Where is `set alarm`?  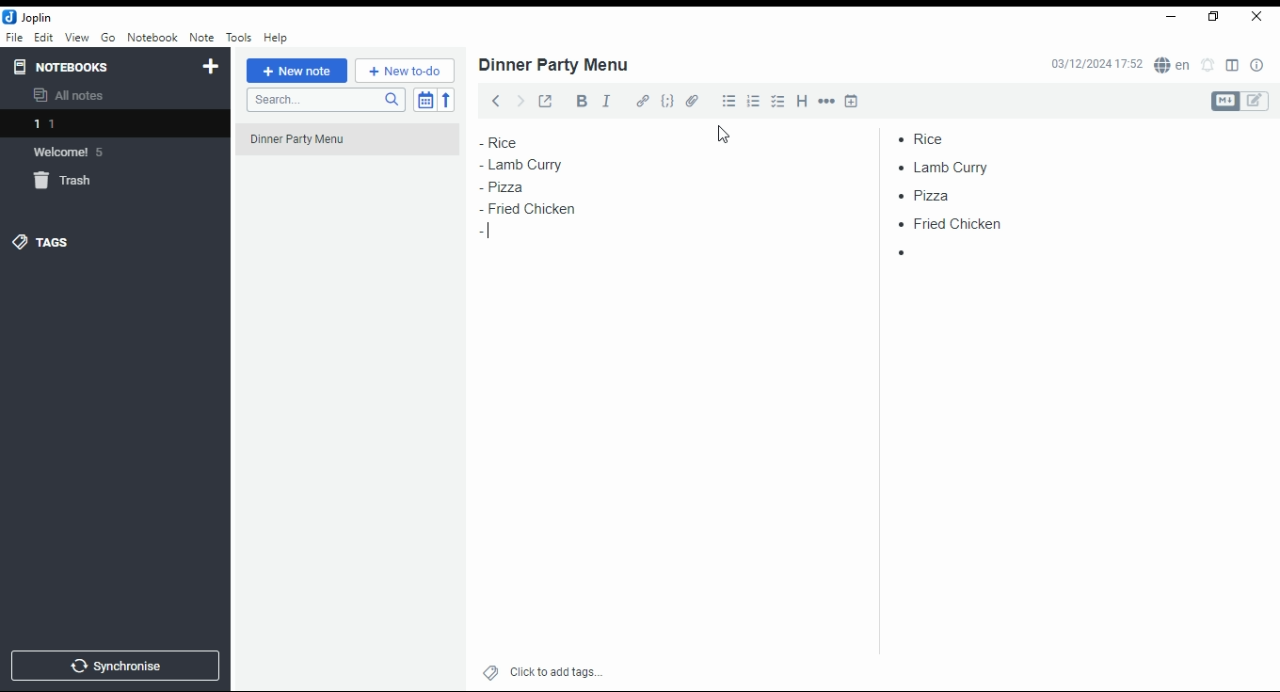 set alarm is located at coordinates (1208, 65).